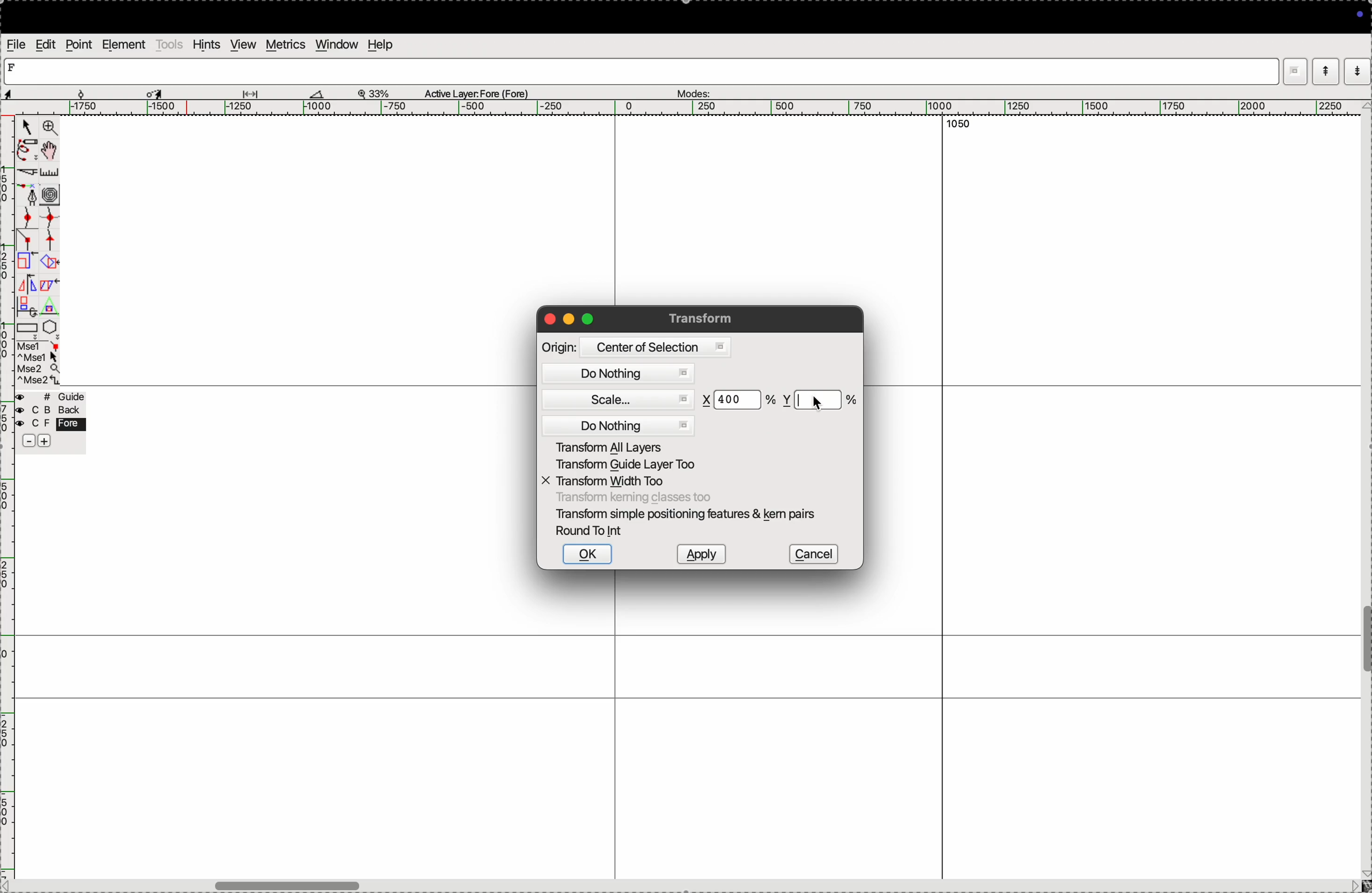  What do you see at coordinates (47, 44) in the screenshot?
I see `edit` at bounding box center [47, 44].